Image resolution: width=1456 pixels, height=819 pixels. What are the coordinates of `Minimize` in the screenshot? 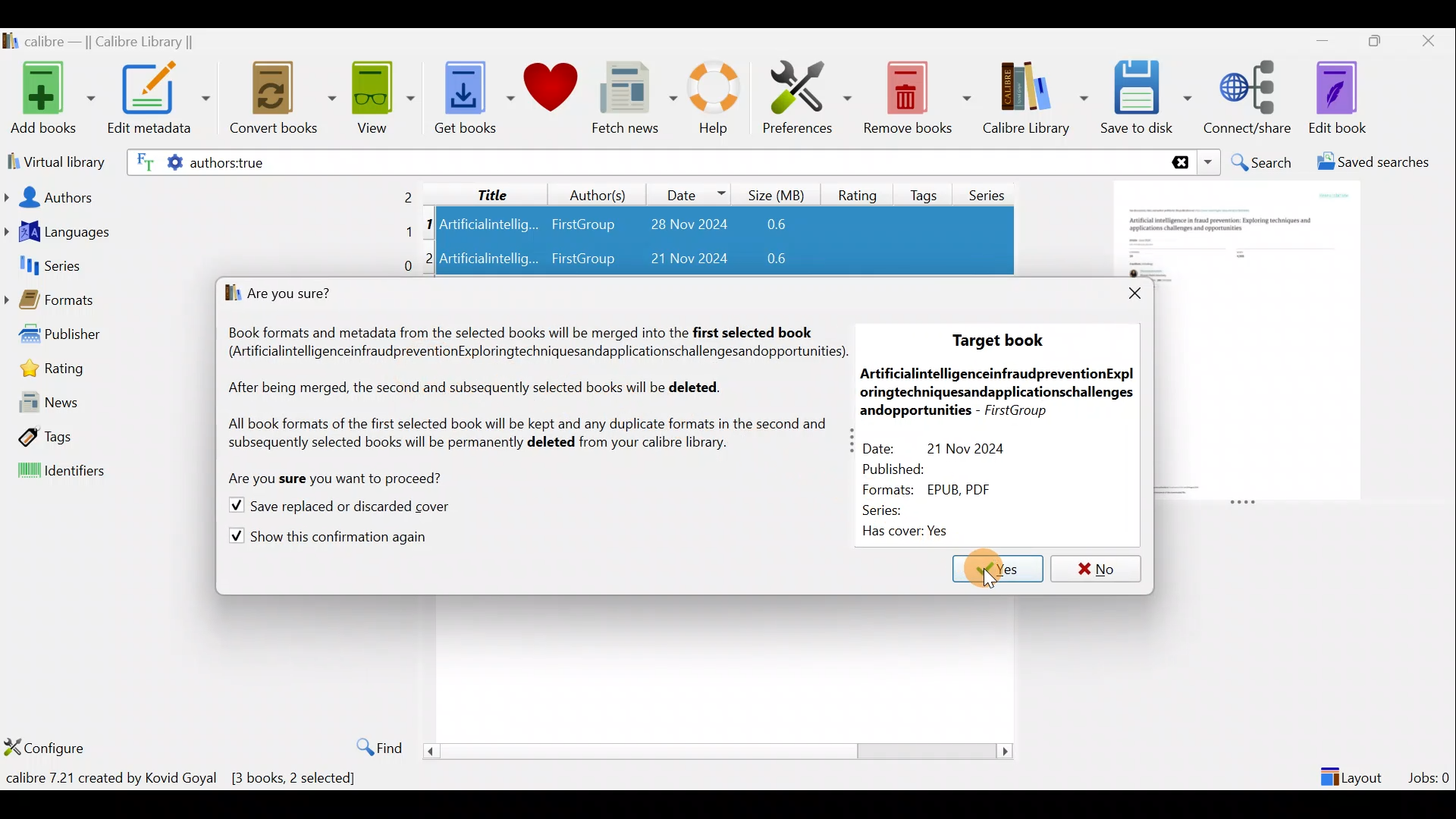 It's located at (1323, 40).